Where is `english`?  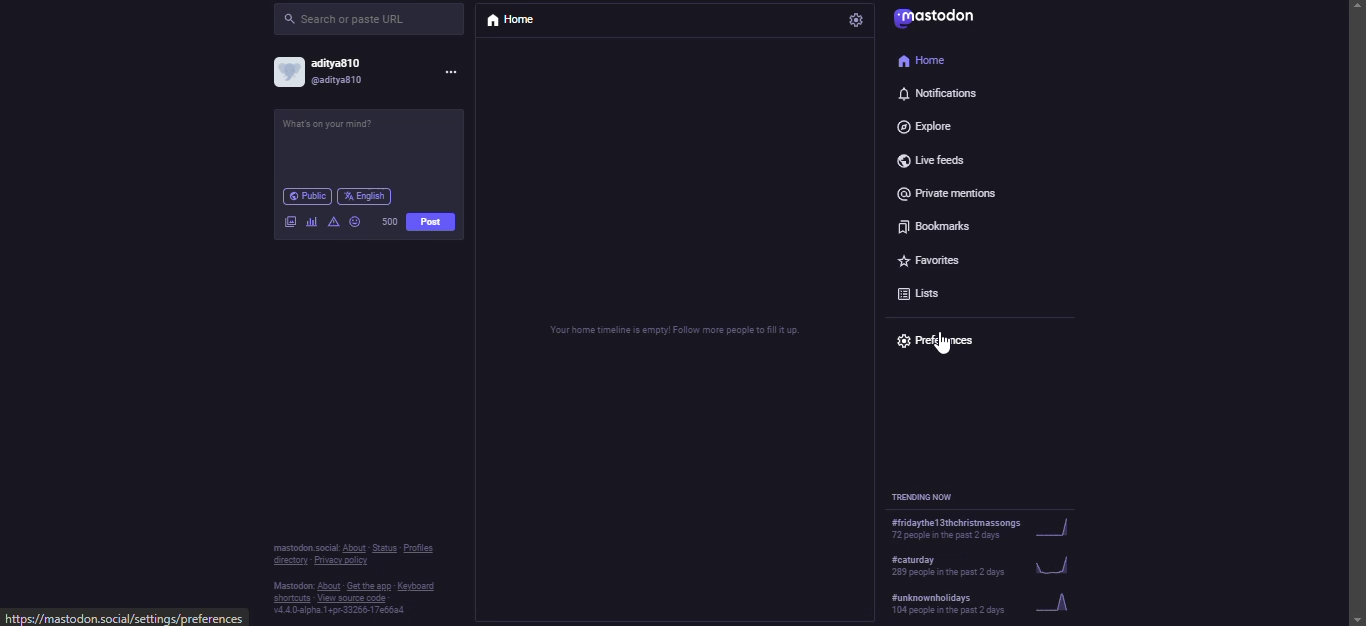
english is located at coordinates (369, 193).